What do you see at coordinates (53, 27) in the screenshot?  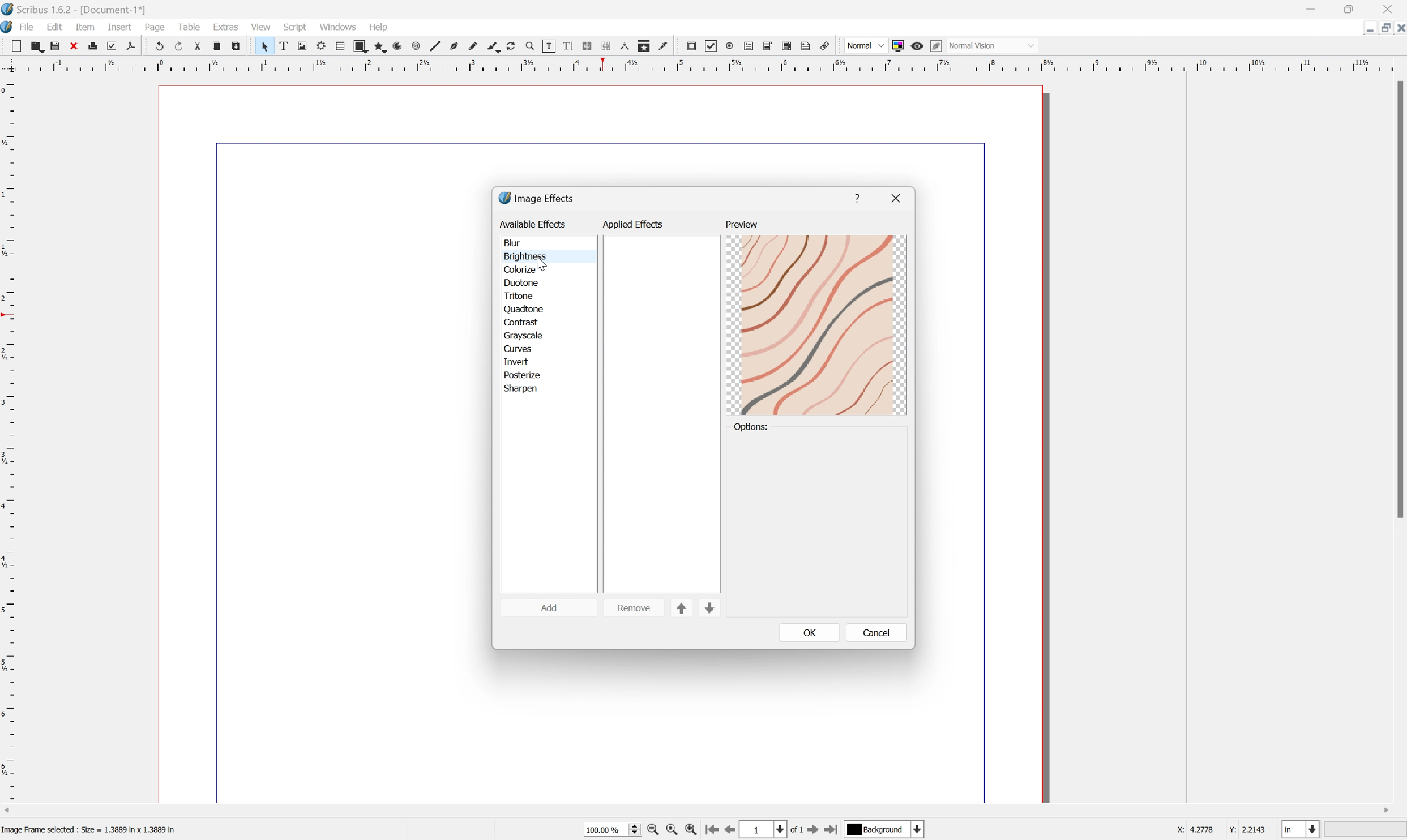 I see `Edit` at bounding box center [53, 27].